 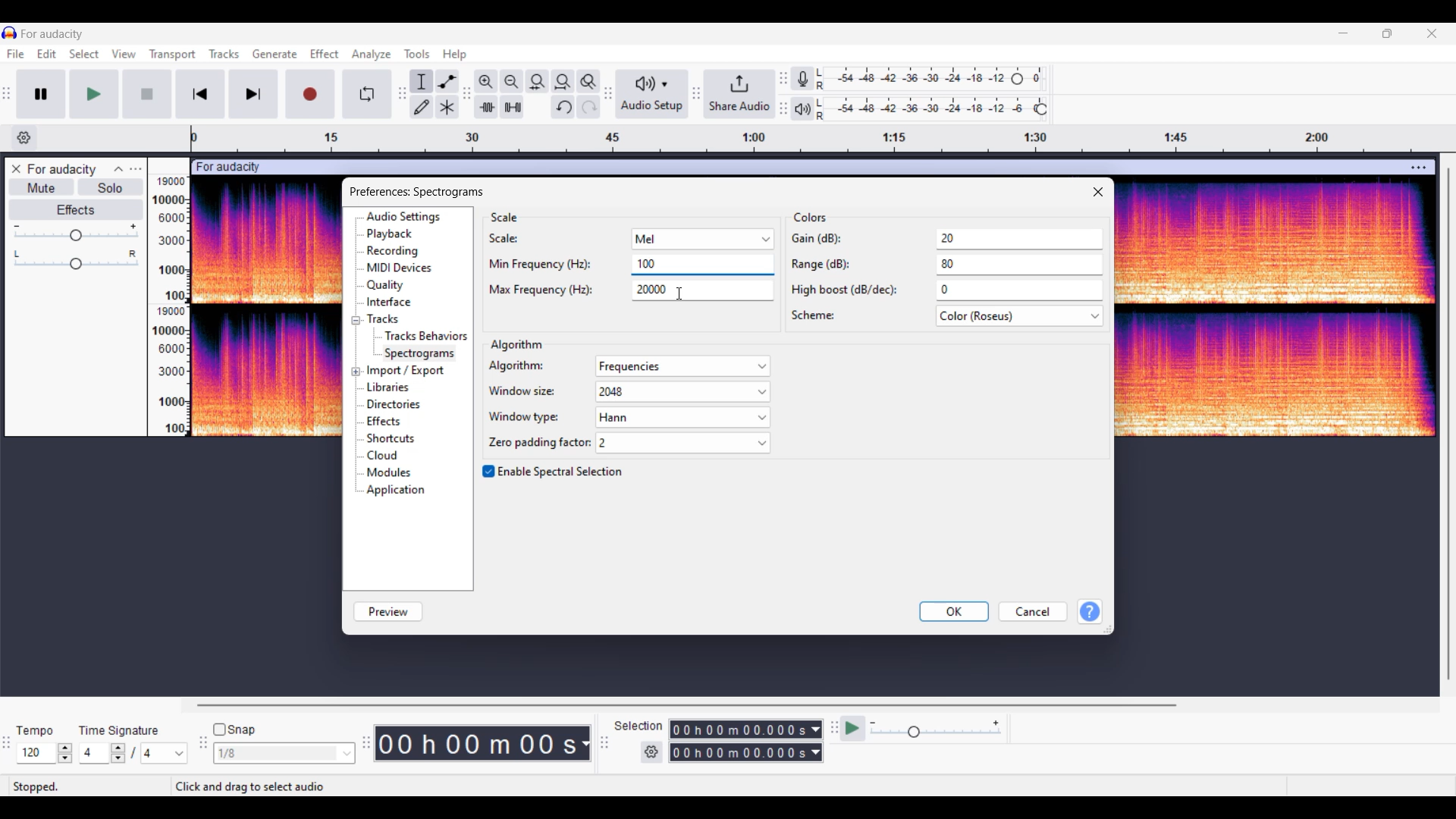 I want to click on Toggle for Spectral selection, so click(x=554, y=472).